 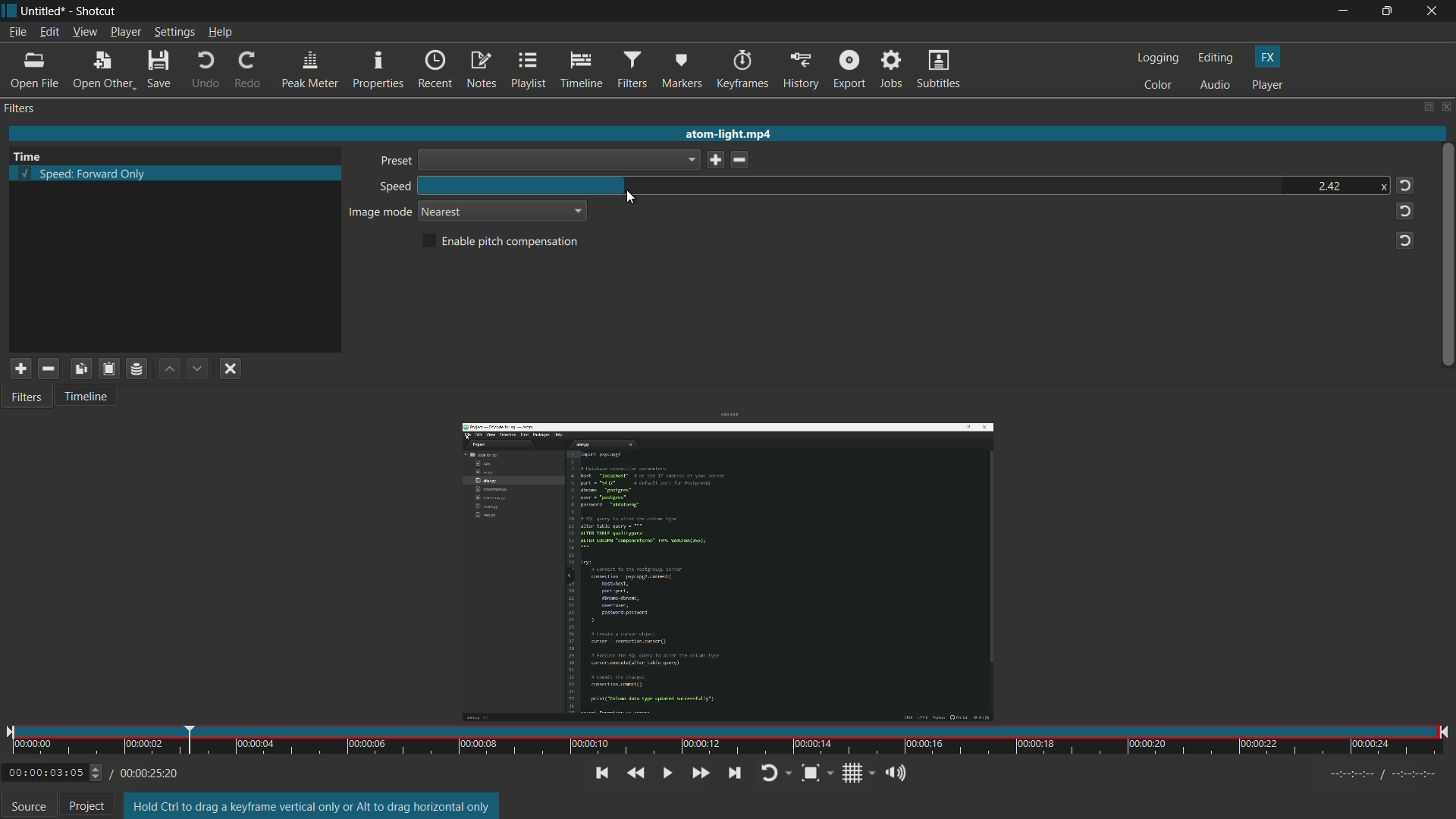 I want to click on player, so click(x=1267, y=86).